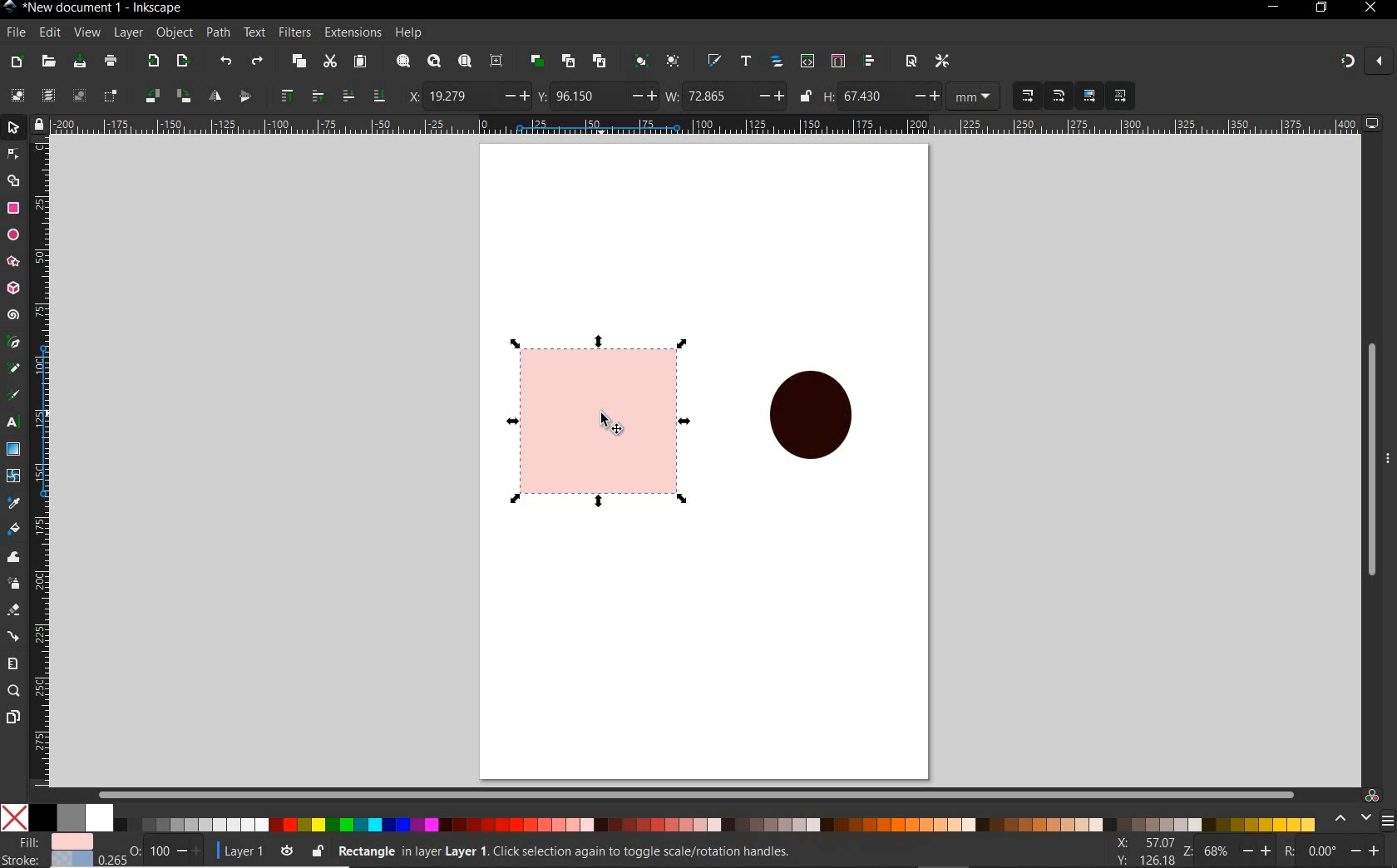  I want to click on Inkscape, so click(11, 8).